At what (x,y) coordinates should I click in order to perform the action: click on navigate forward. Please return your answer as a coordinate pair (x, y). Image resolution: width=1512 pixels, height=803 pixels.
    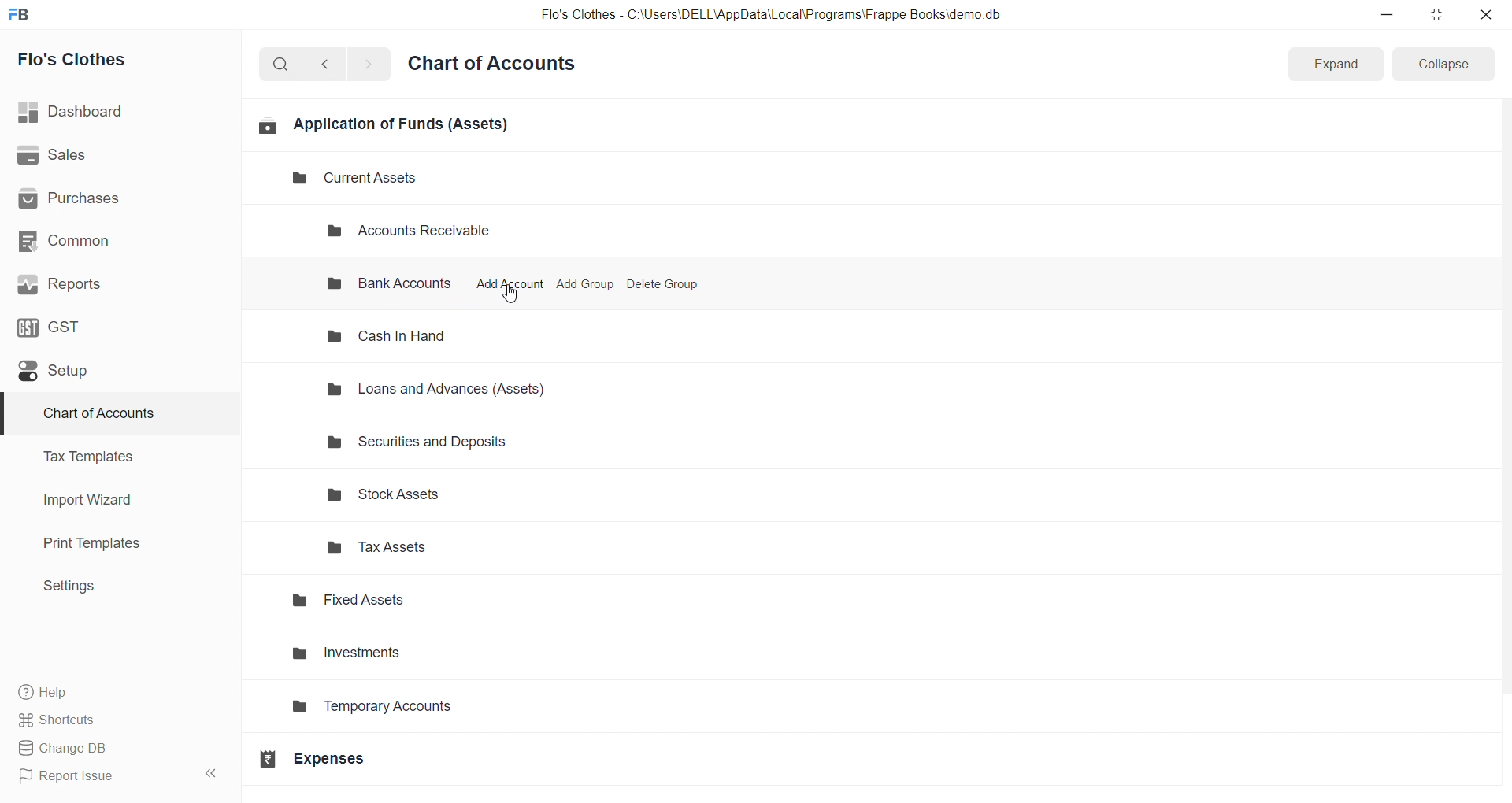
    Looking at the image, I should click on (368, 63).